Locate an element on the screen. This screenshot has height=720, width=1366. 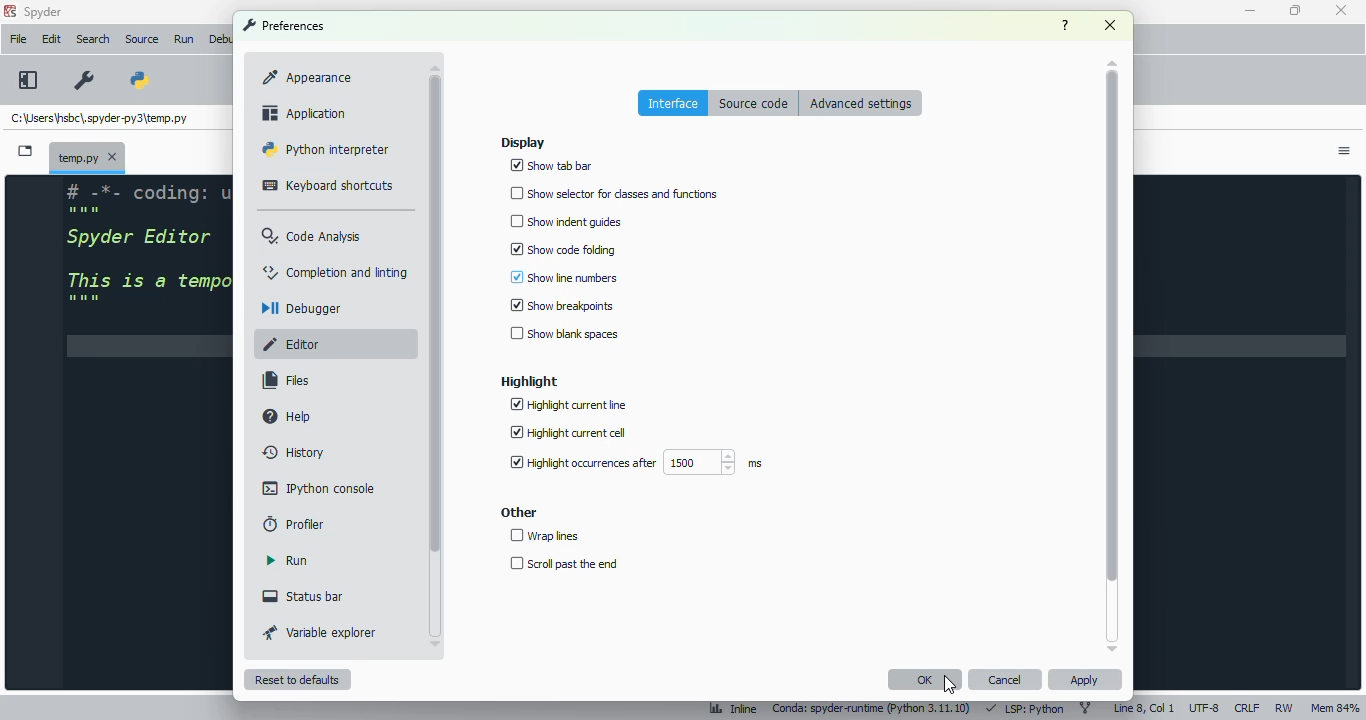
files is located at coordinates (285, 381).